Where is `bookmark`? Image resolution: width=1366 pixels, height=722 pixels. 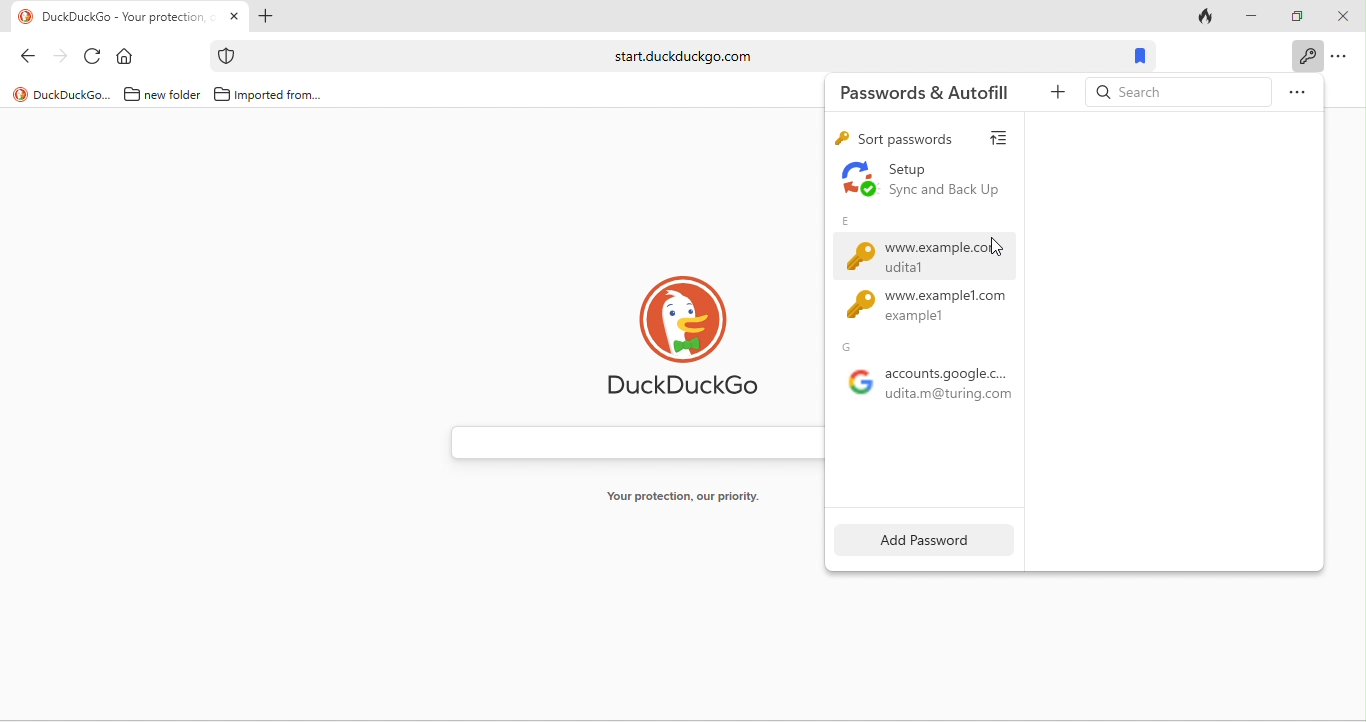
bookmark is located at coordinates (1138, 56).